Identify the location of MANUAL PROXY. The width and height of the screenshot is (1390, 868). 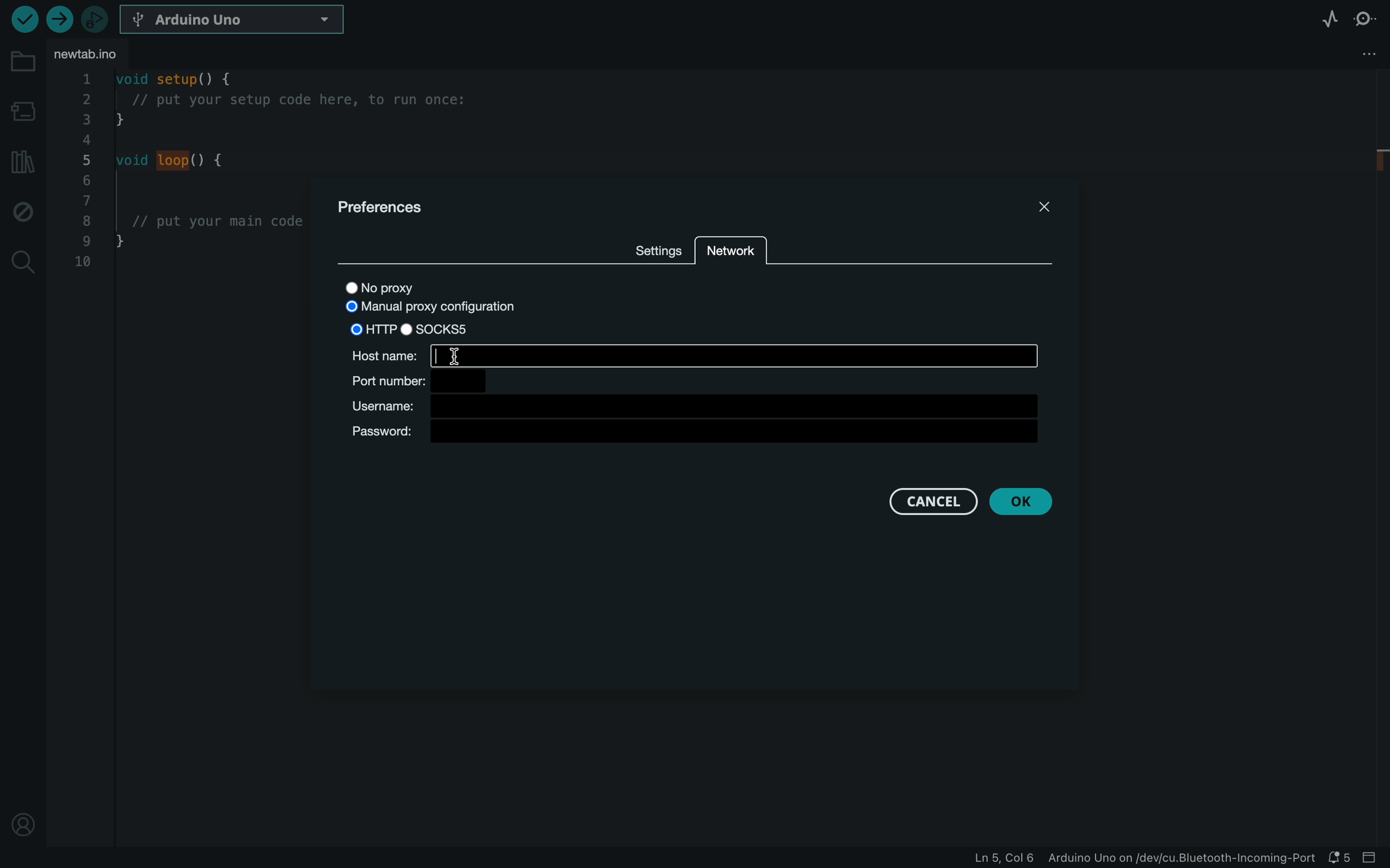
(437, 306).